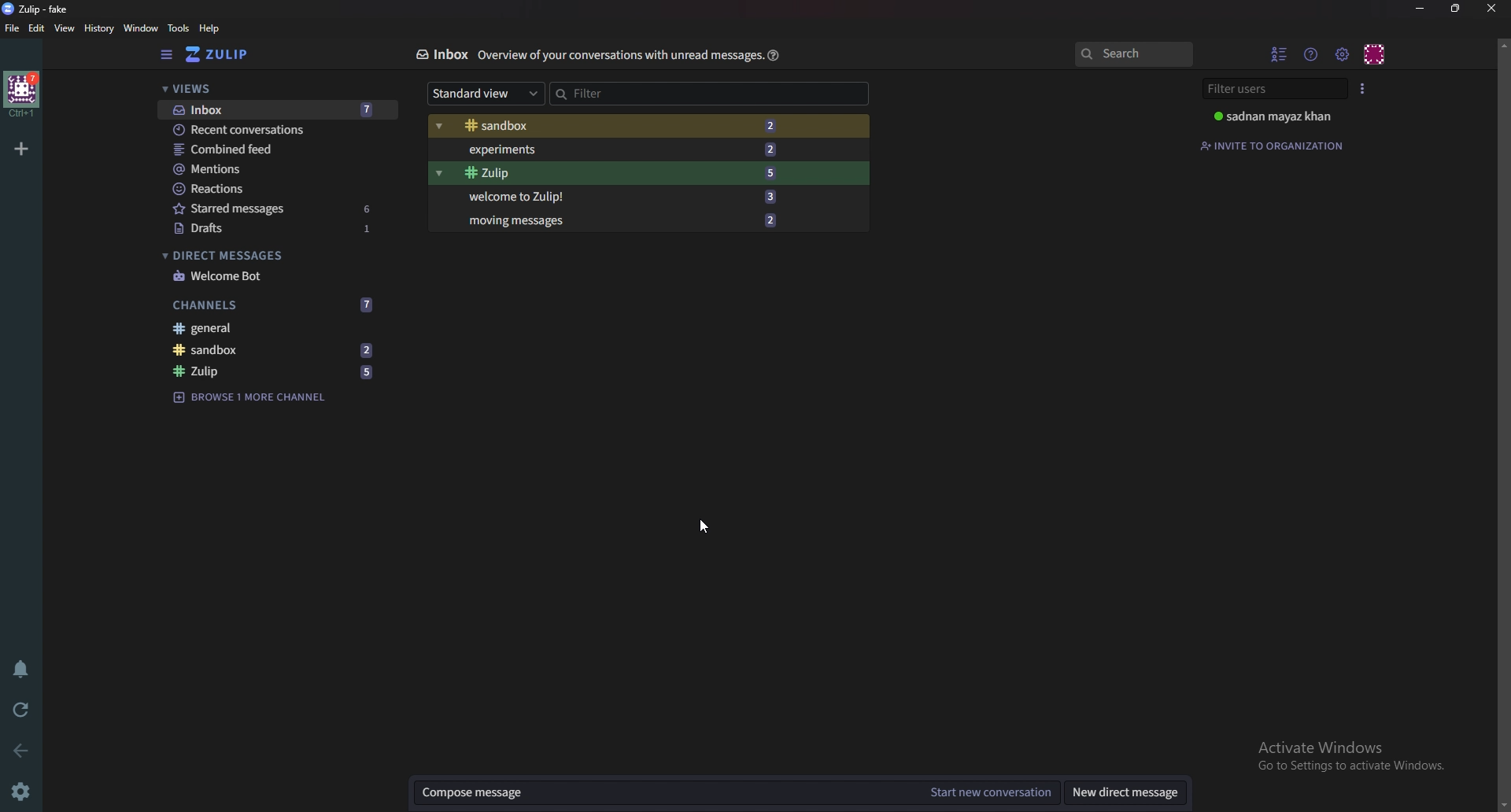 Image resolution: width=1511 pixels, height=812 pixels. I want to click on close, so click(1493, 9).